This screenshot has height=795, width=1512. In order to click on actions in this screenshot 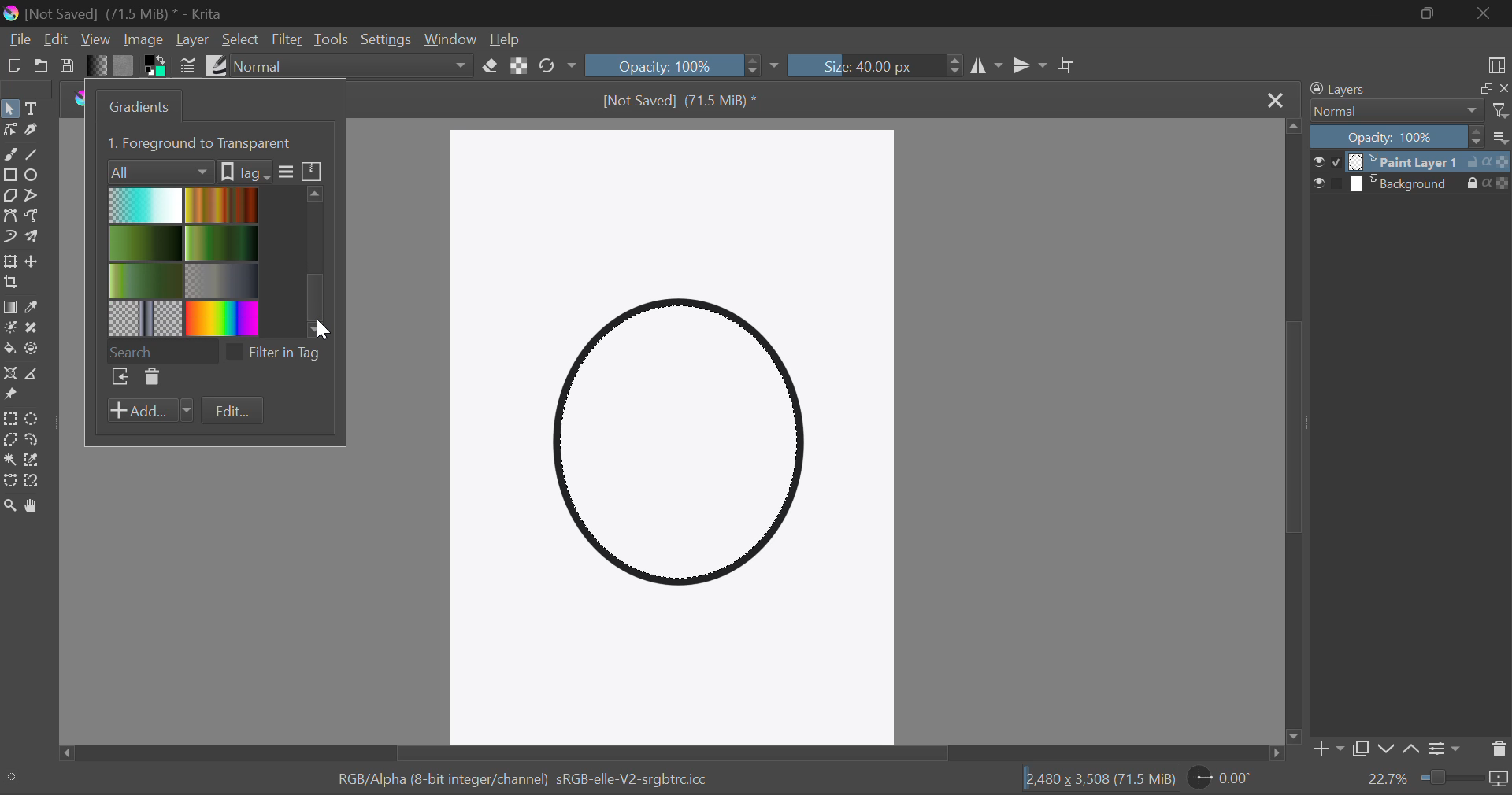, I will do `click(1488, 183)`.